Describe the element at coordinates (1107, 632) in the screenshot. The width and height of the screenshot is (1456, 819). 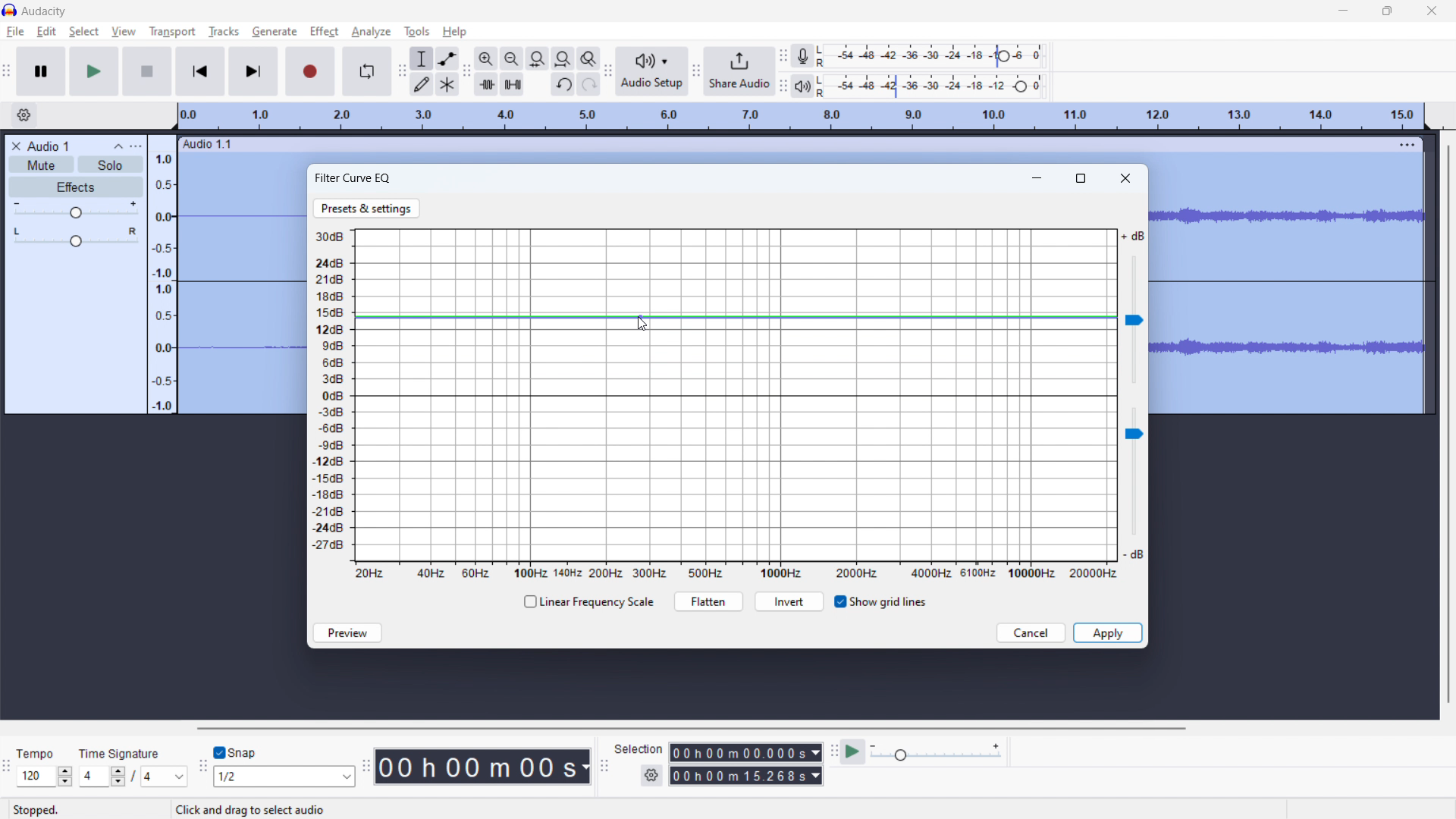
I see `apply` at that location.